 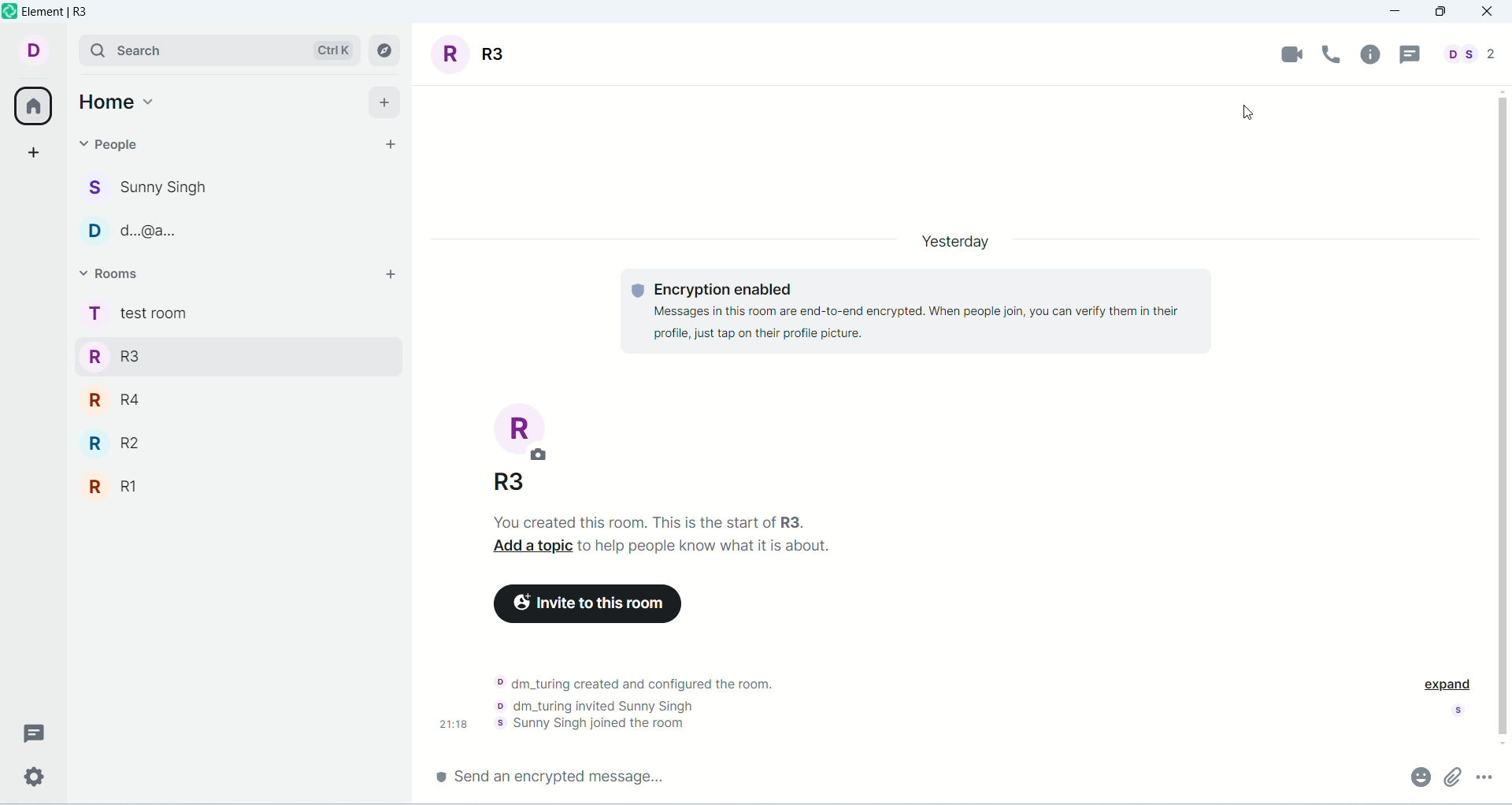 I want to click on rooms, so click(x=112, y=273).